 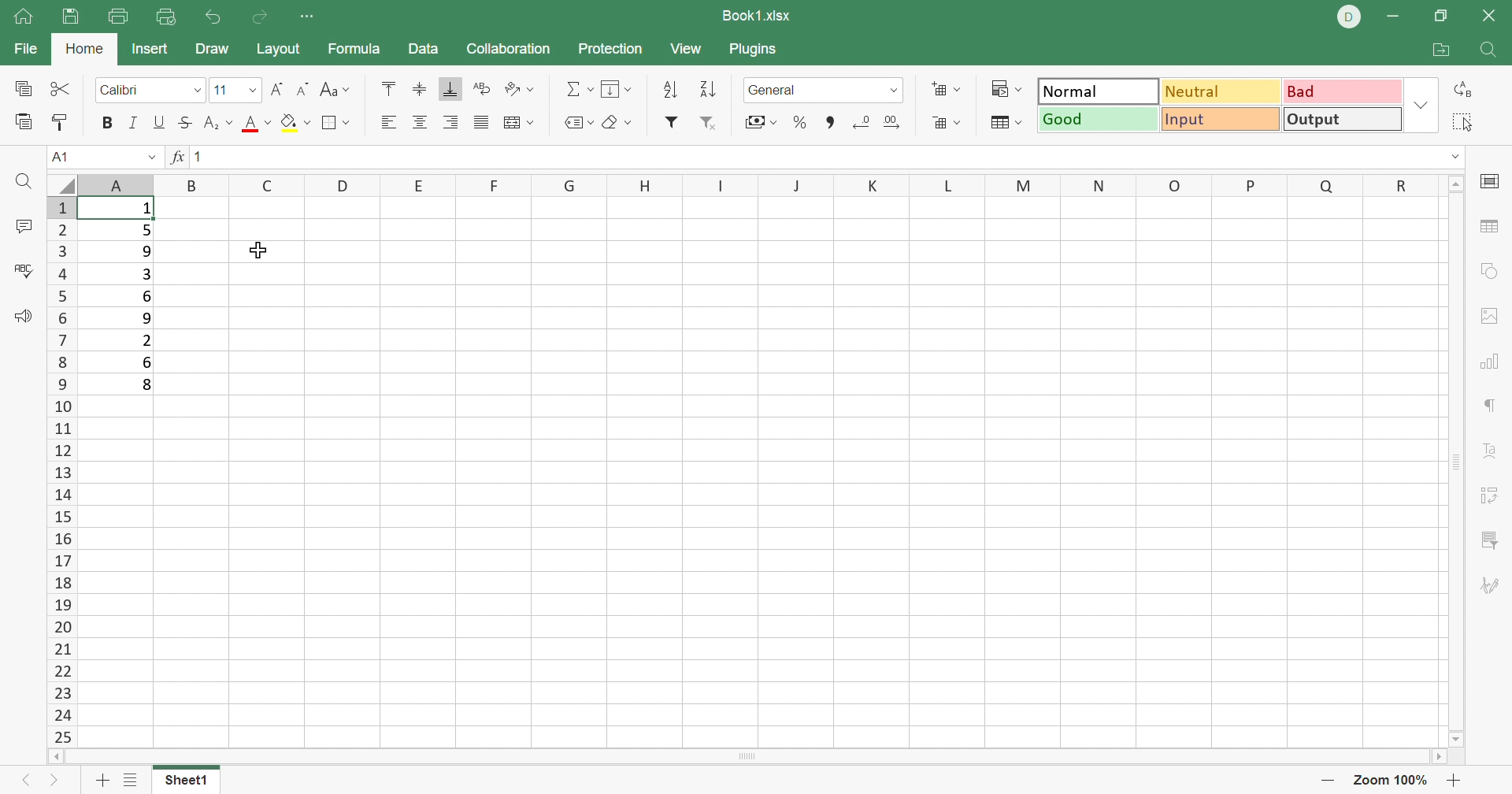 I want to click on List of sheets, so click(x=135, y=780).